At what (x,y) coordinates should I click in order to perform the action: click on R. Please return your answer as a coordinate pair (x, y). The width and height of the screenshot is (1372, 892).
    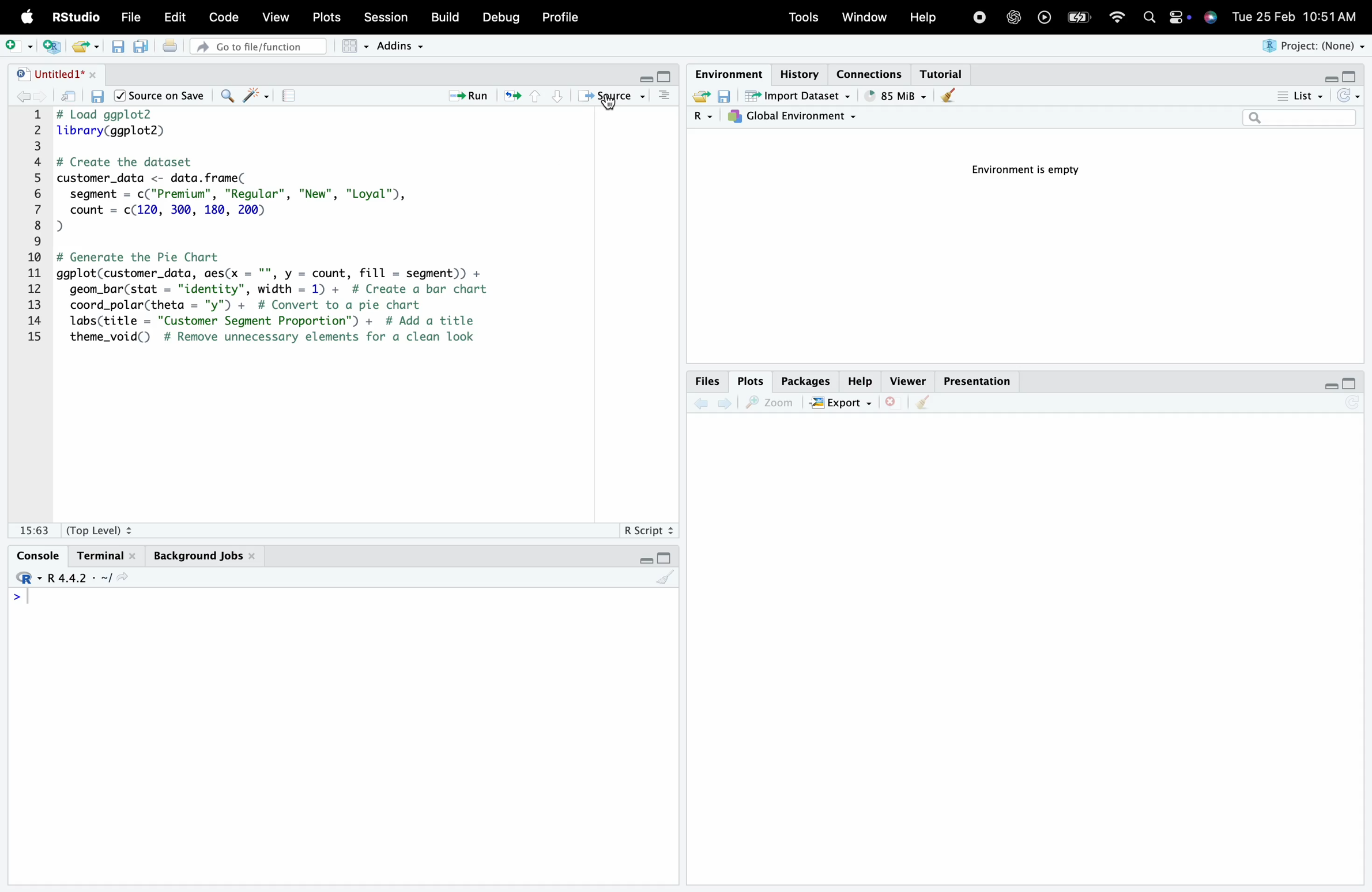
    Looking at the image, I should click on (695, 118).